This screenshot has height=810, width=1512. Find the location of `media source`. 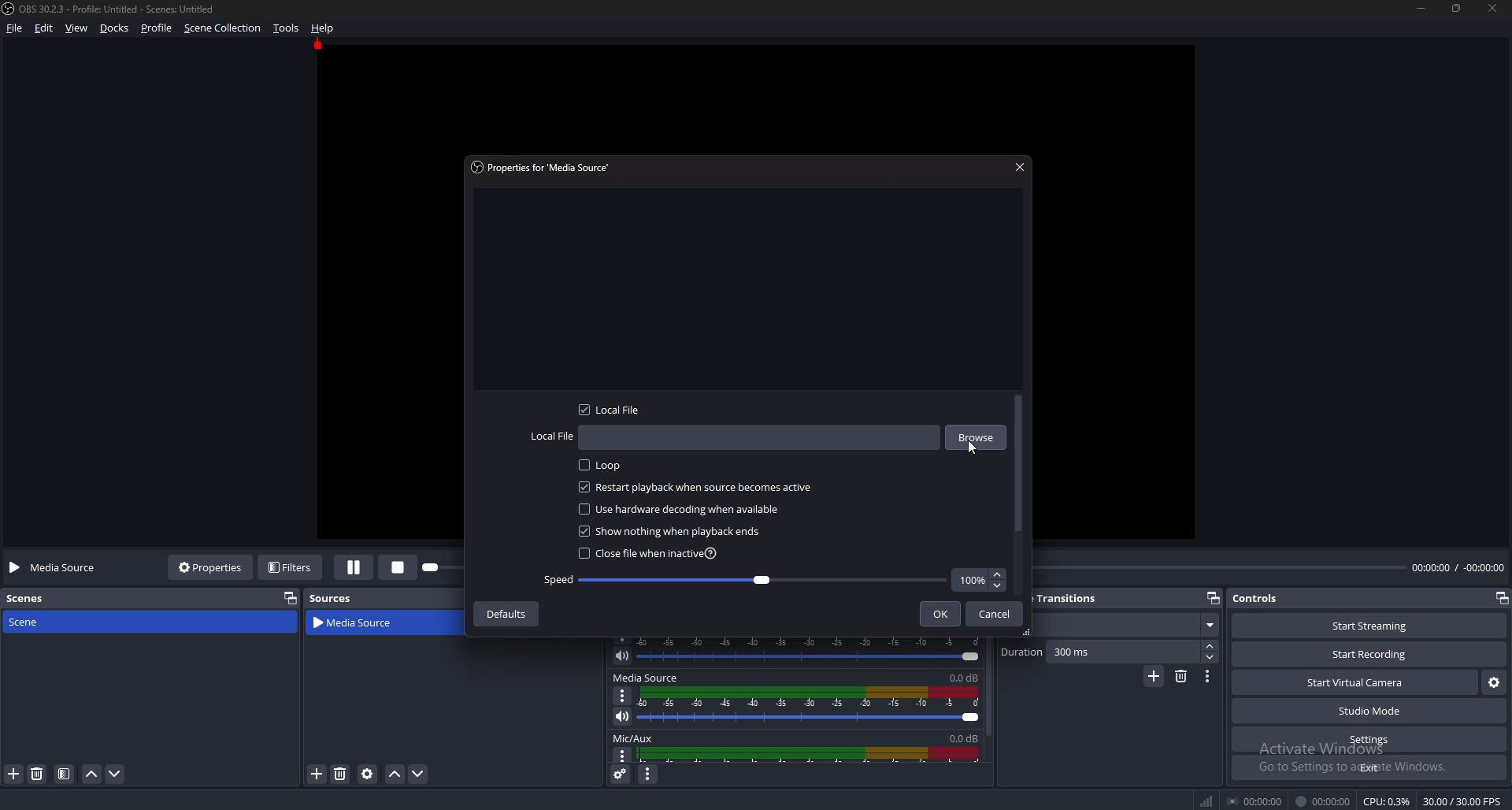

media source is located at coordinates (646, 678).